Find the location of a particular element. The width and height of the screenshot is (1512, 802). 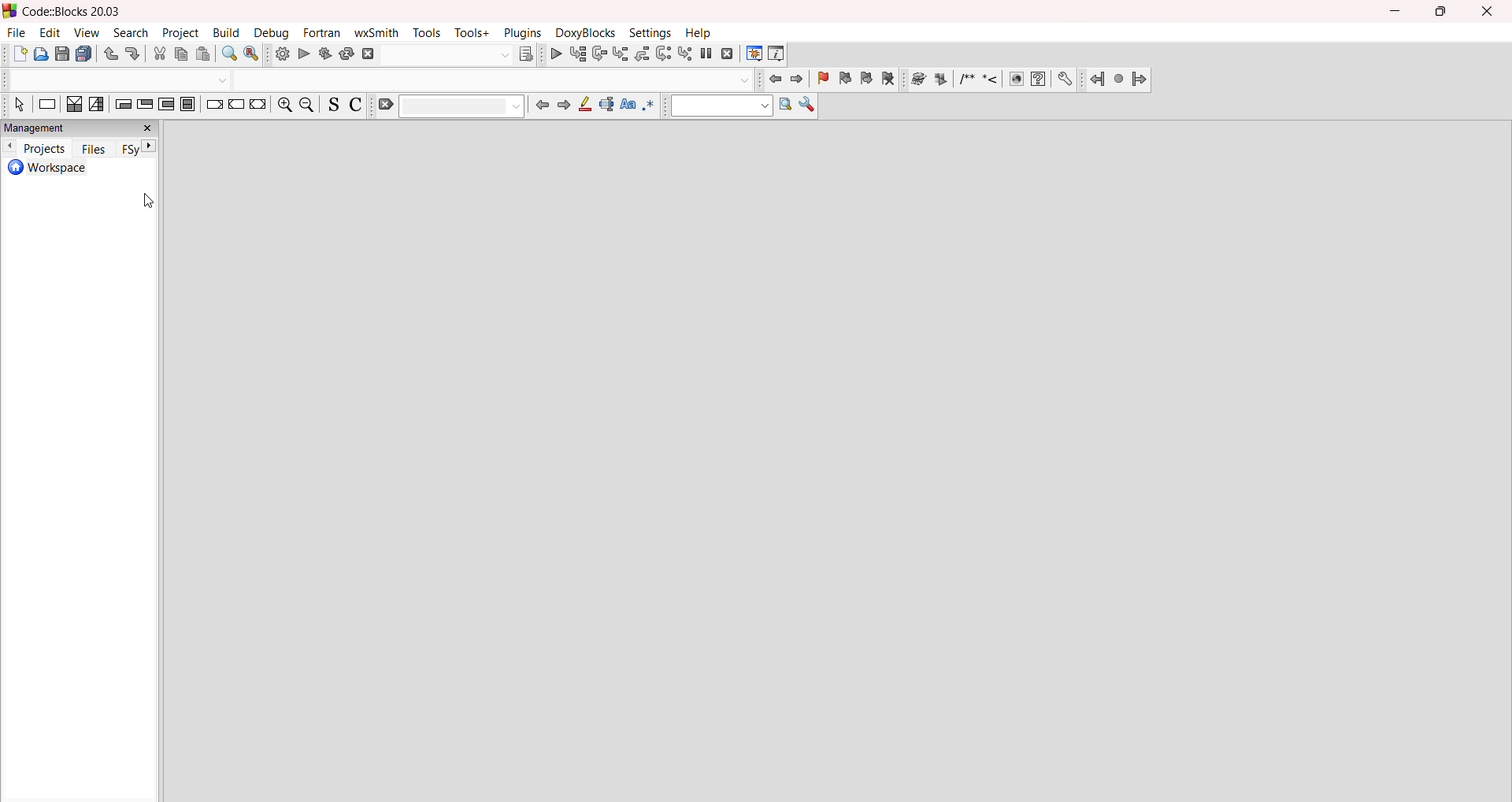

fortran is located at coordinates (323, 33).